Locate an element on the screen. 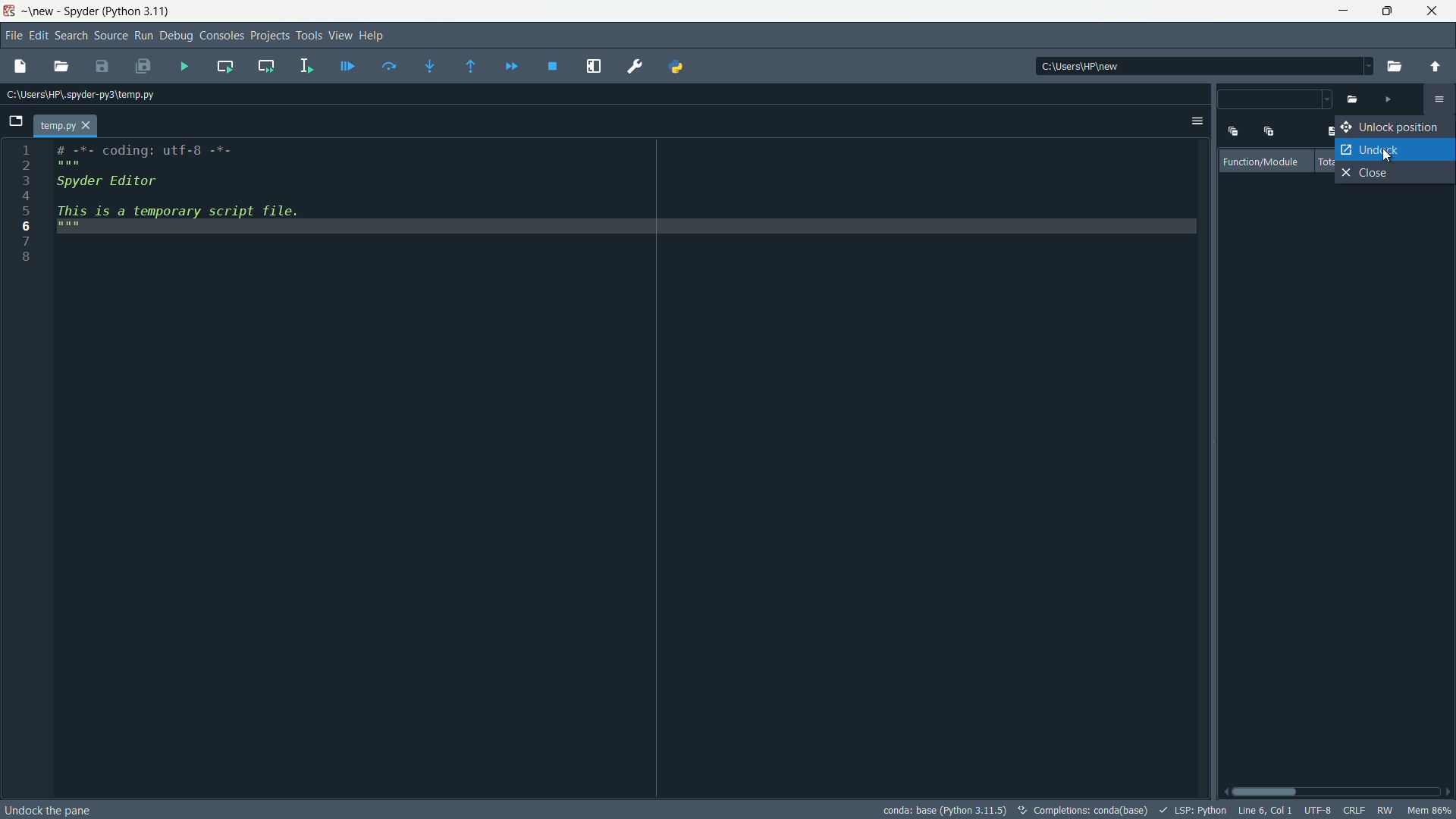  3 is located at coordinates (25, 178).